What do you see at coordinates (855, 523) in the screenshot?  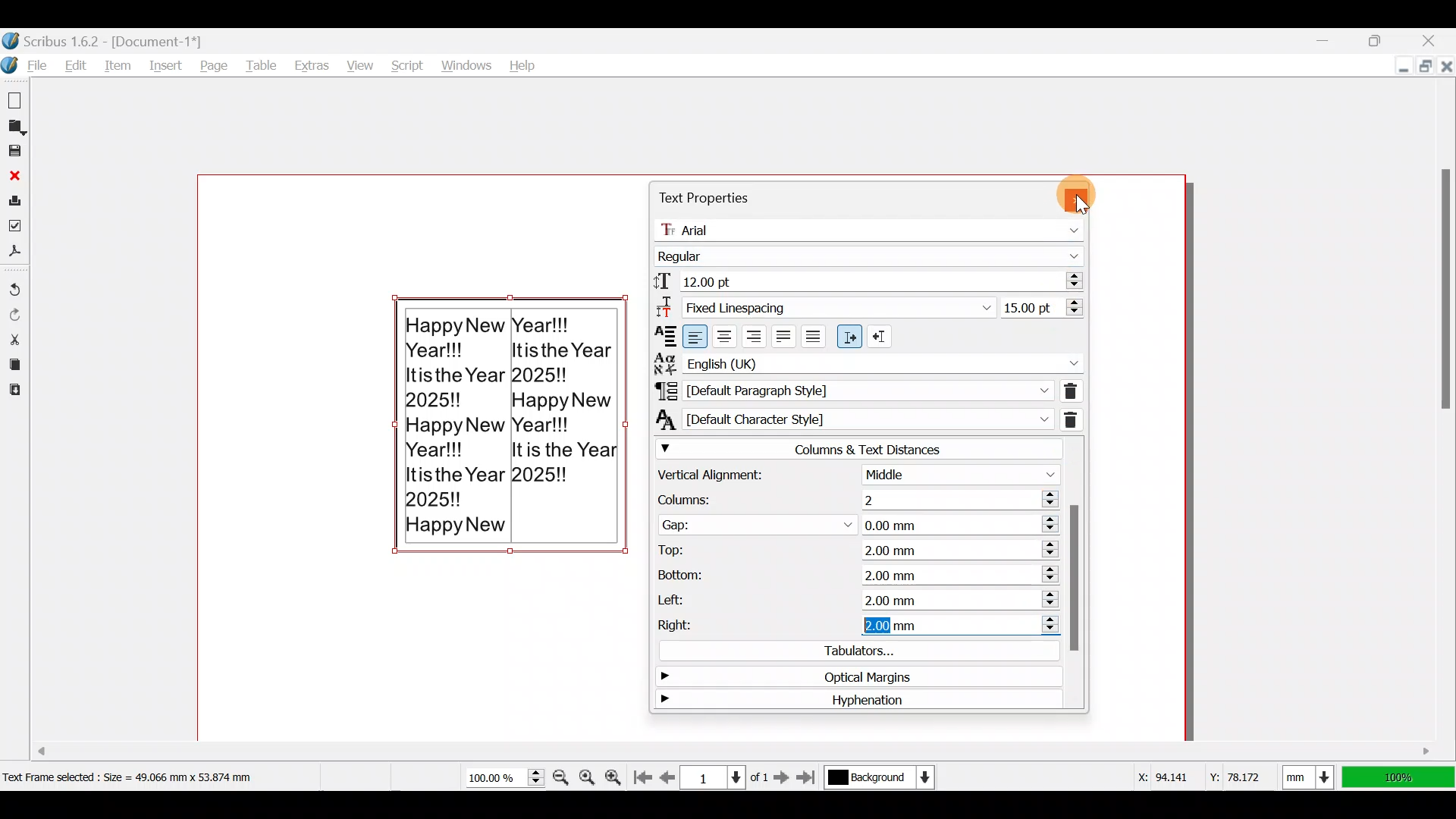 I see `Gap` at bounding box center [855, 523].